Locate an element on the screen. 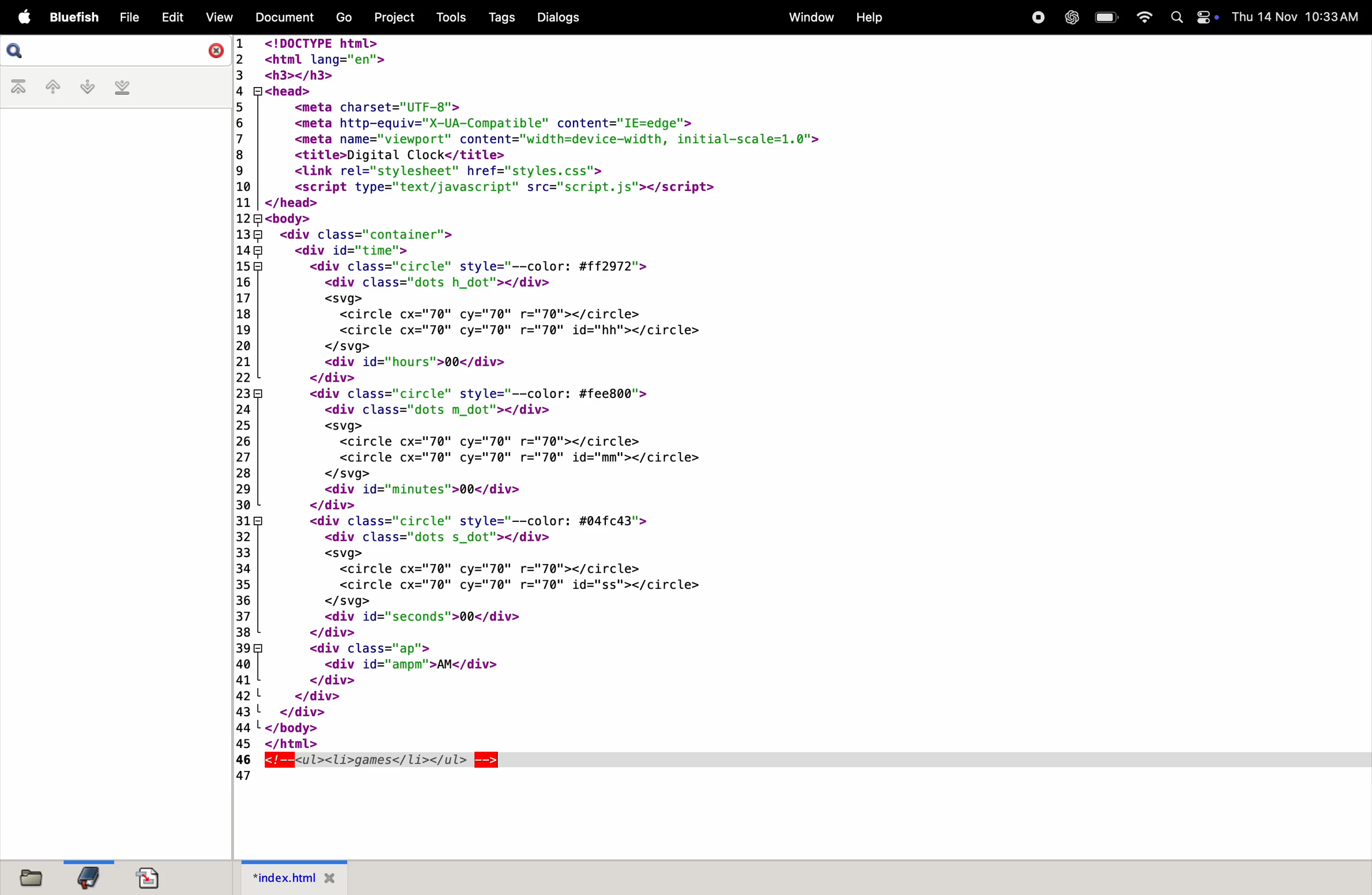 This screenshot has width=1372, height=895. chatgpt is located at coordinates (1071, 18).